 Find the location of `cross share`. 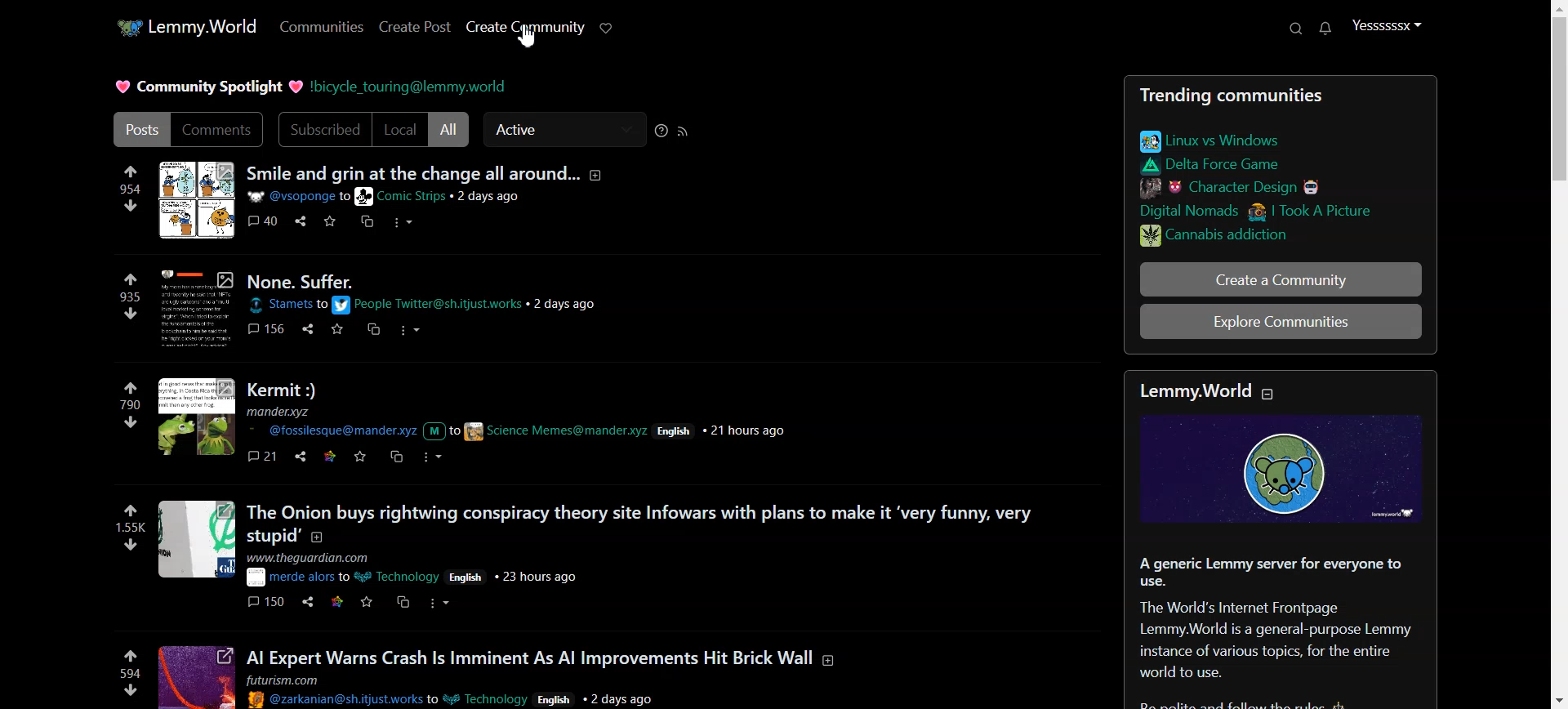

cross share is located at coordinates (399, 456).